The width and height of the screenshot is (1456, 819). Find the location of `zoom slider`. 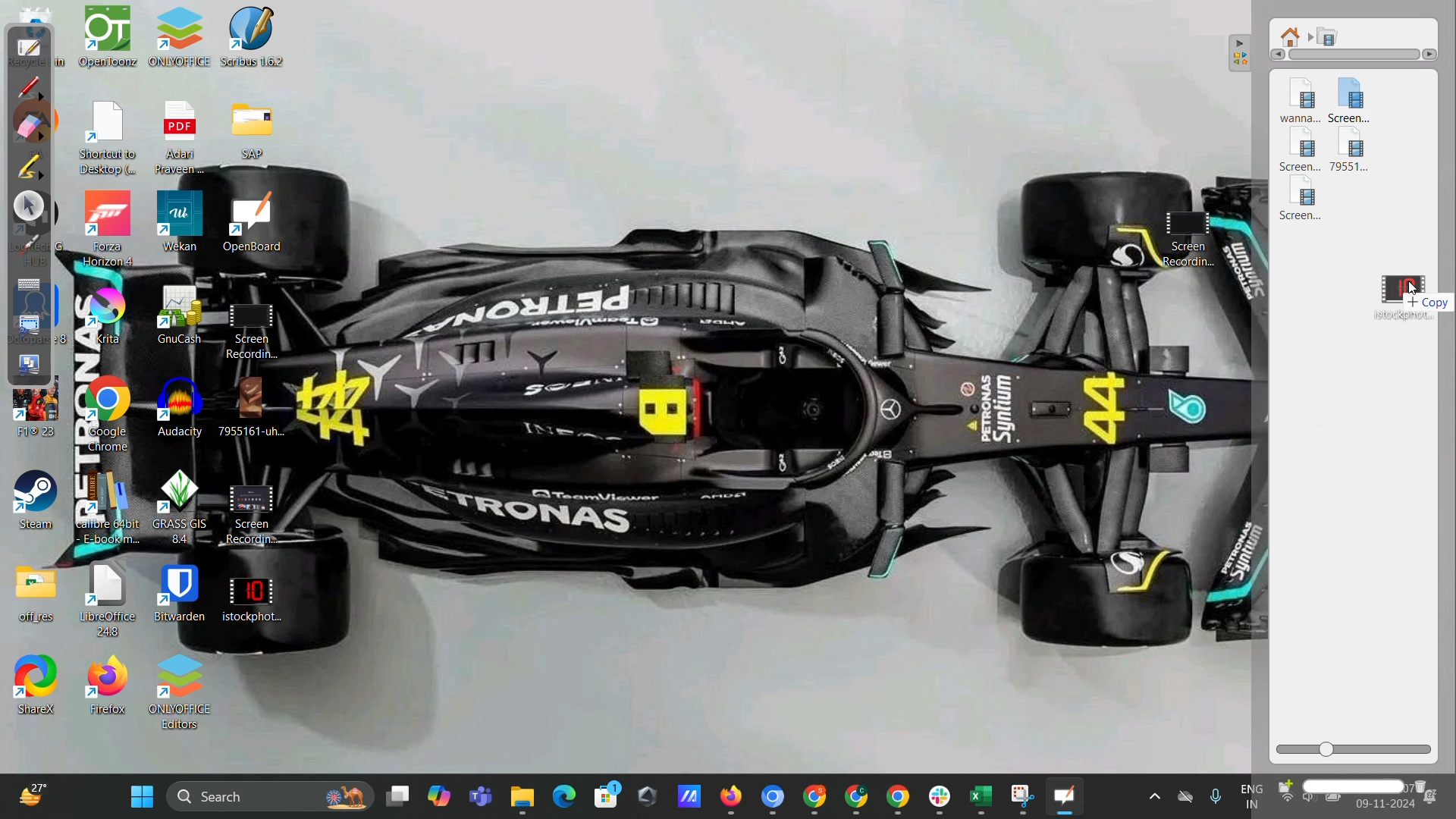

zoom slider is located at coordinates (1351, 746).